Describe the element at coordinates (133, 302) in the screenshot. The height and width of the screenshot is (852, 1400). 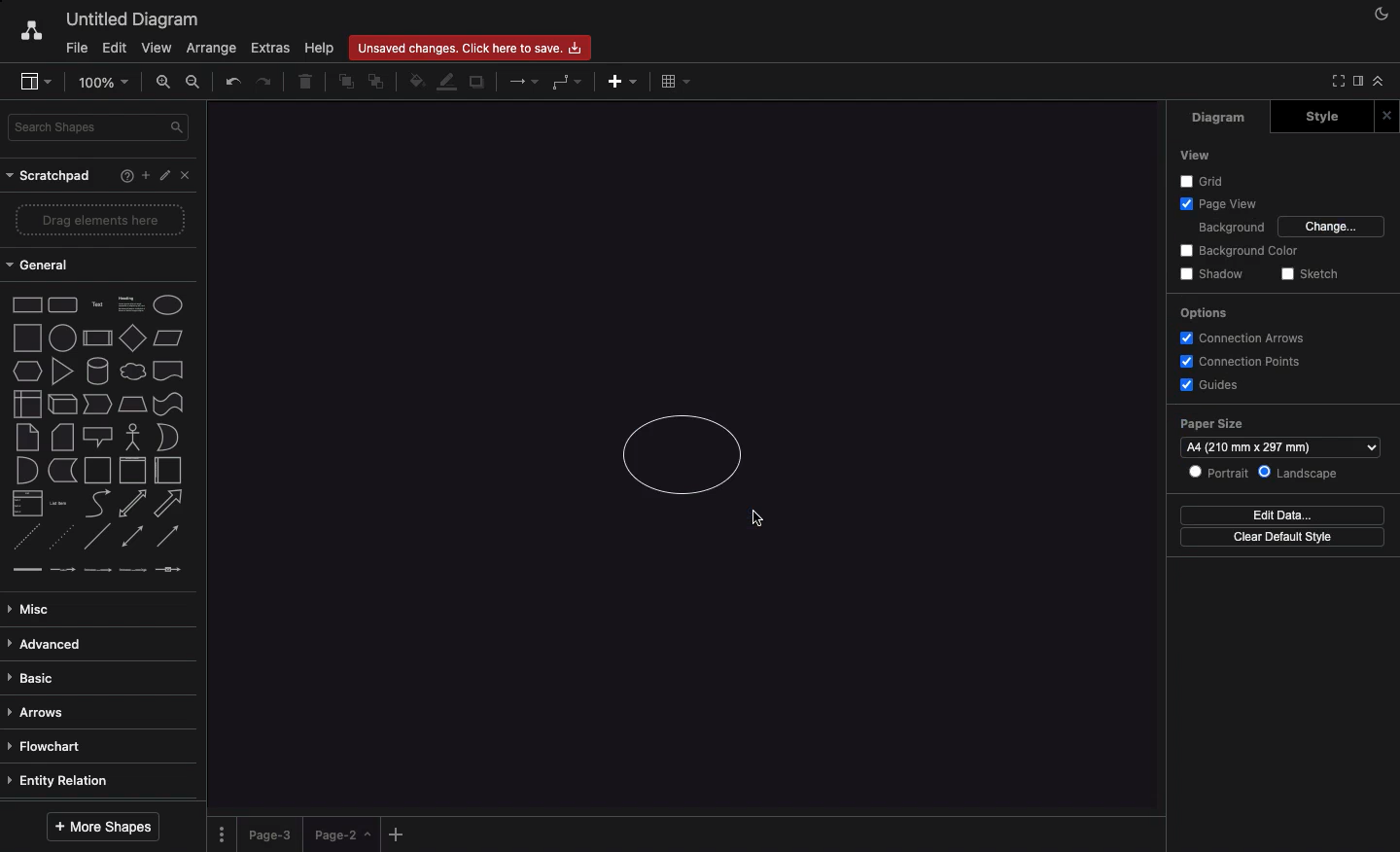
I see `Heading` at that location.